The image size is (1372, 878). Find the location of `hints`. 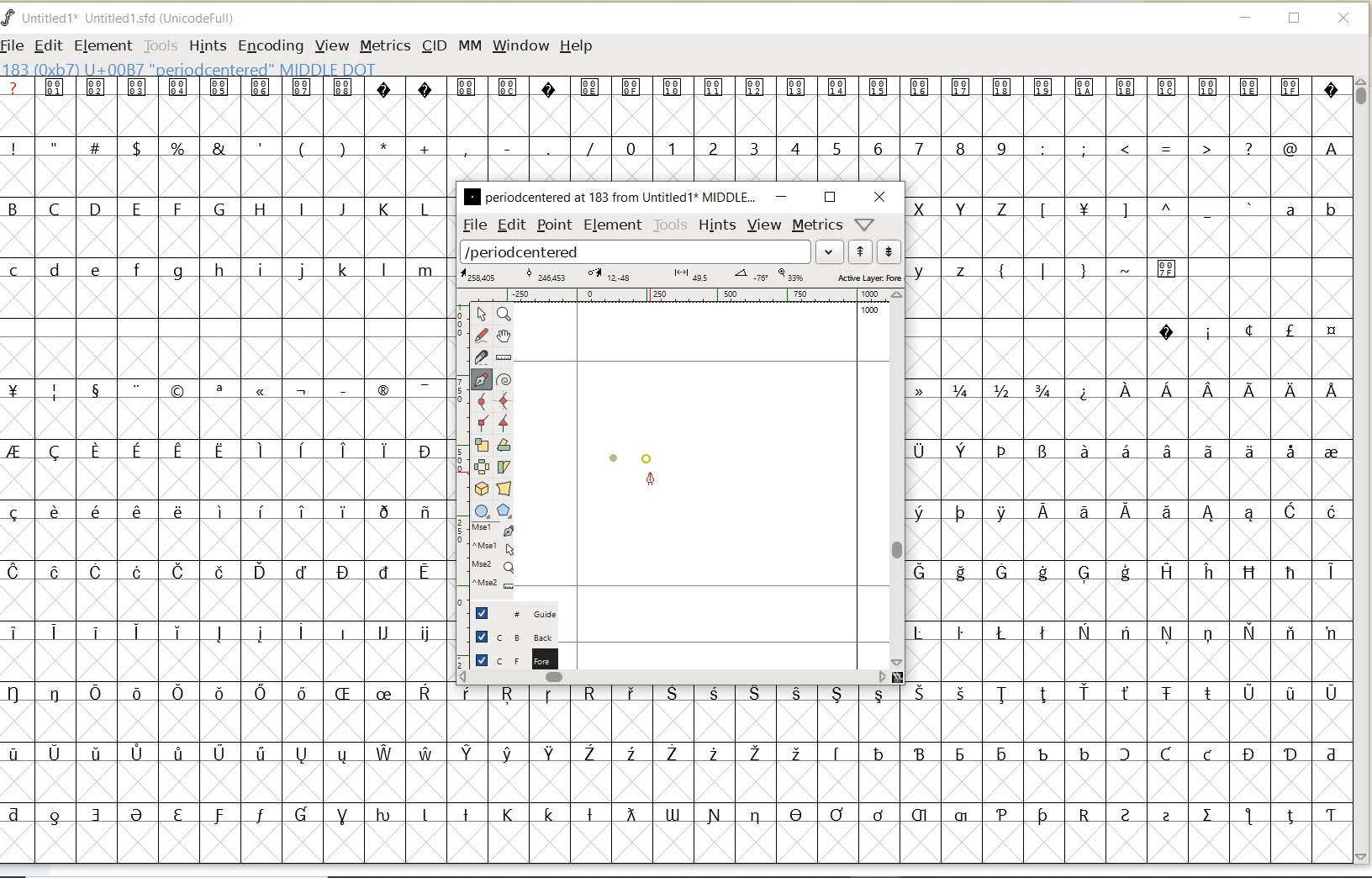

hints is located at coordinates (718, 225).